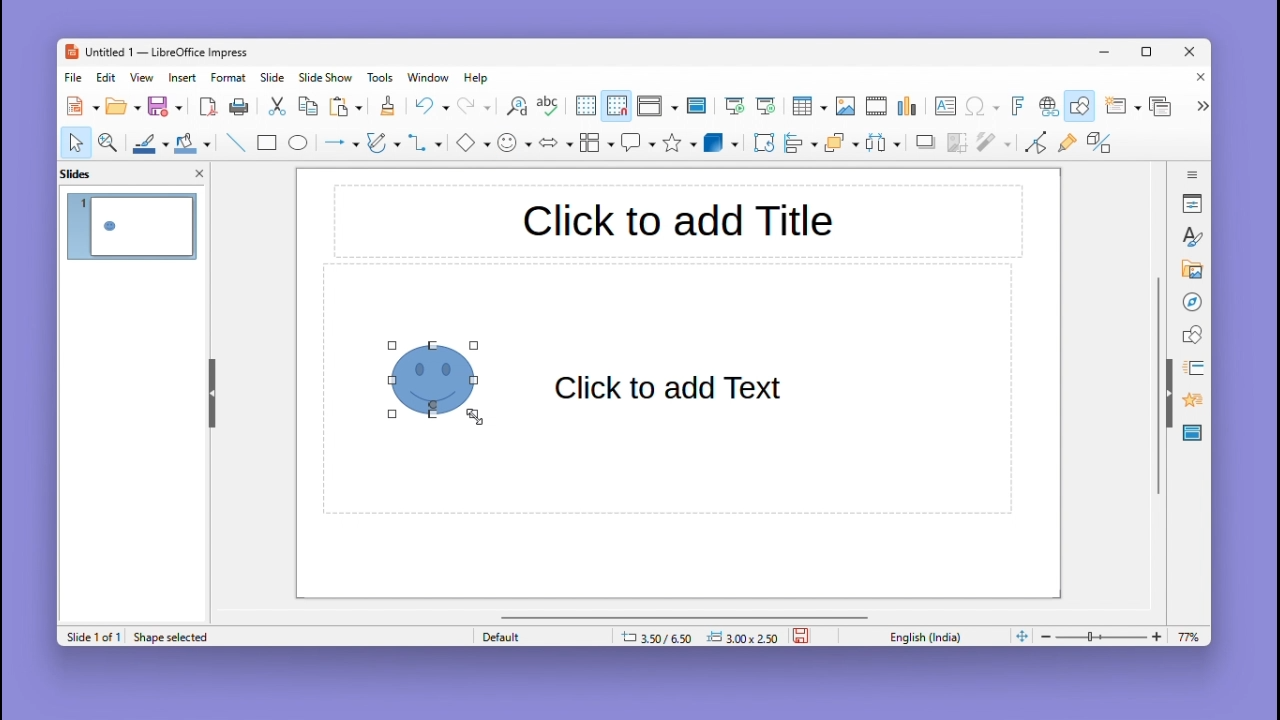  I want to click on Gallery, so click(1189, 270).